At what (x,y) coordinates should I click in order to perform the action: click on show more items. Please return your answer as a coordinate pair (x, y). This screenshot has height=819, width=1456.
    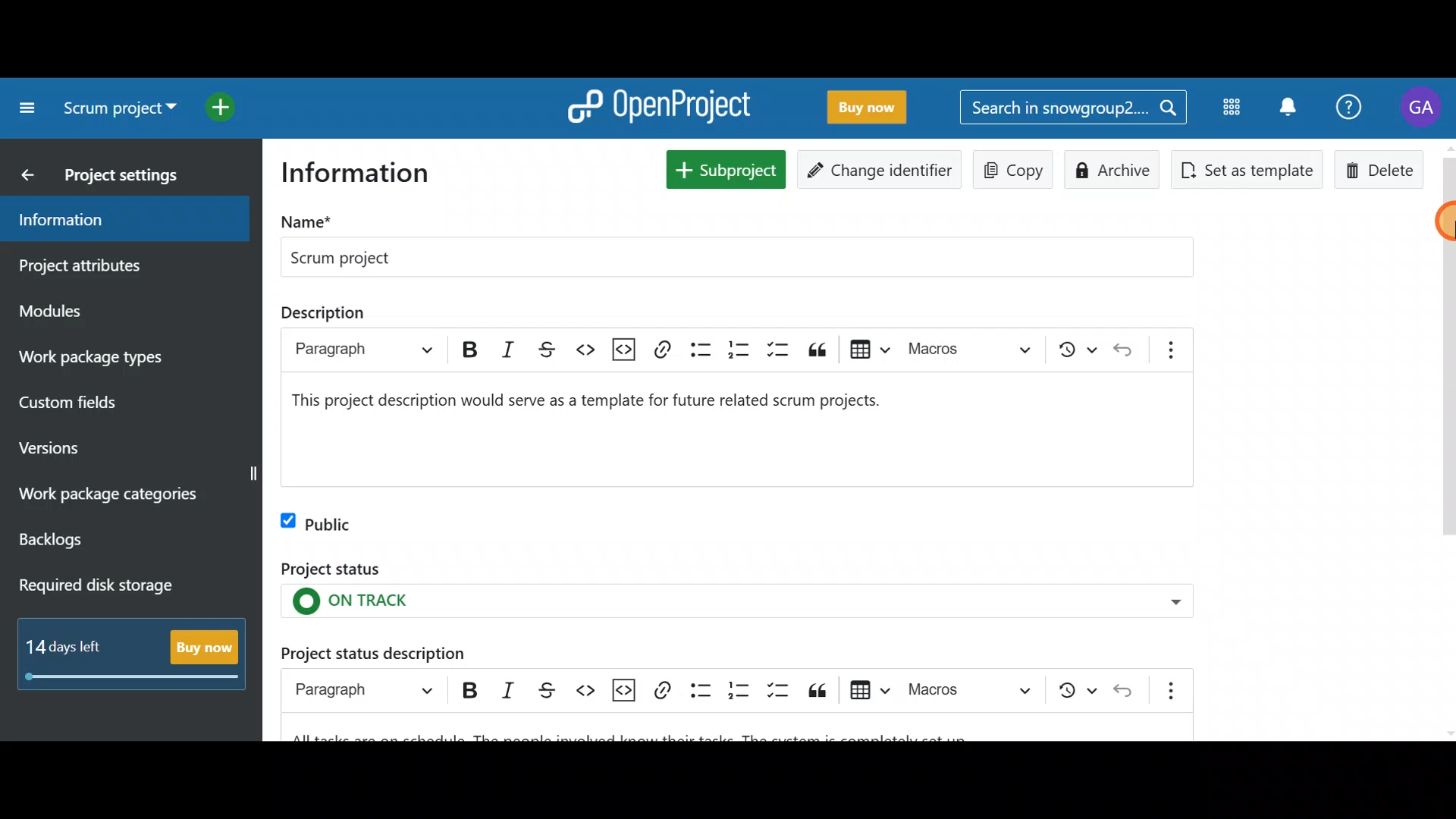
    Looking at the image, I should click on (1172, 350).